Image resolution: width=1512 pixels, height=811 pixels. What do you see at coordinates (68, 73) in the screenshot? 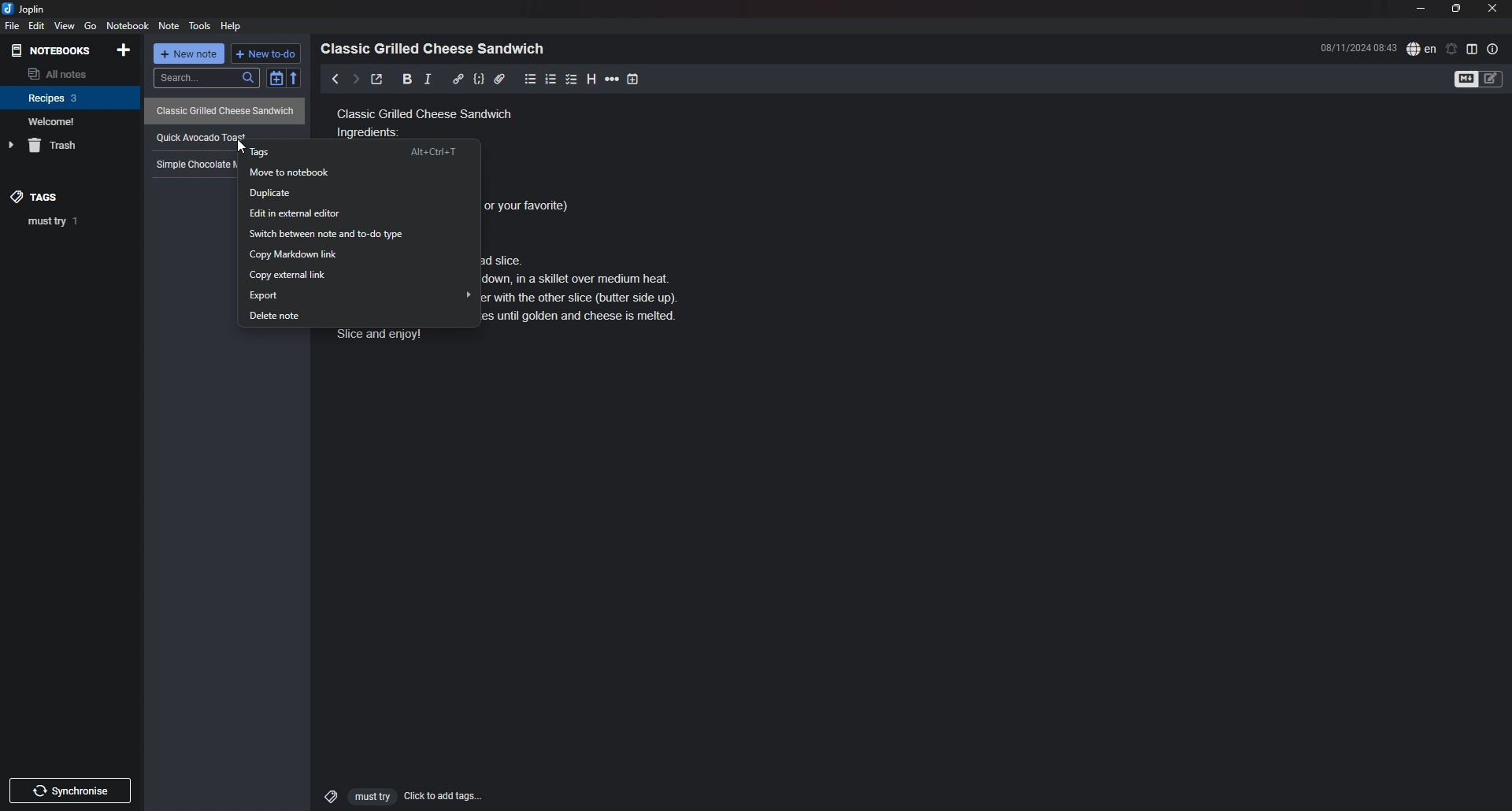
I see `all notes` at bounding box center [68, 73].